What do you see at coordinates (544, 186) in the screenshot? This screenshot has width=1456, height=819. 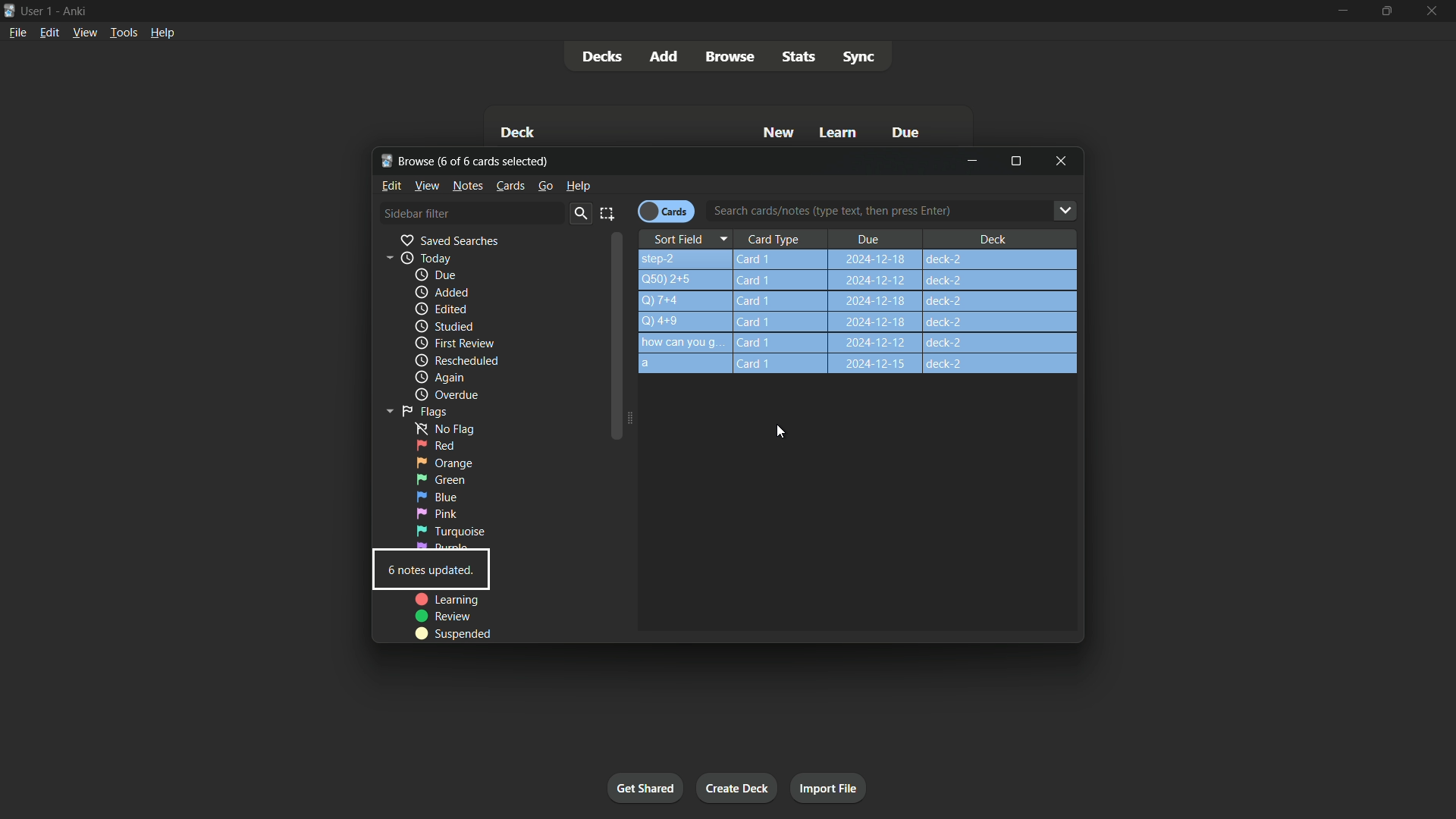 I see `go` at bounding box center [544, 186].